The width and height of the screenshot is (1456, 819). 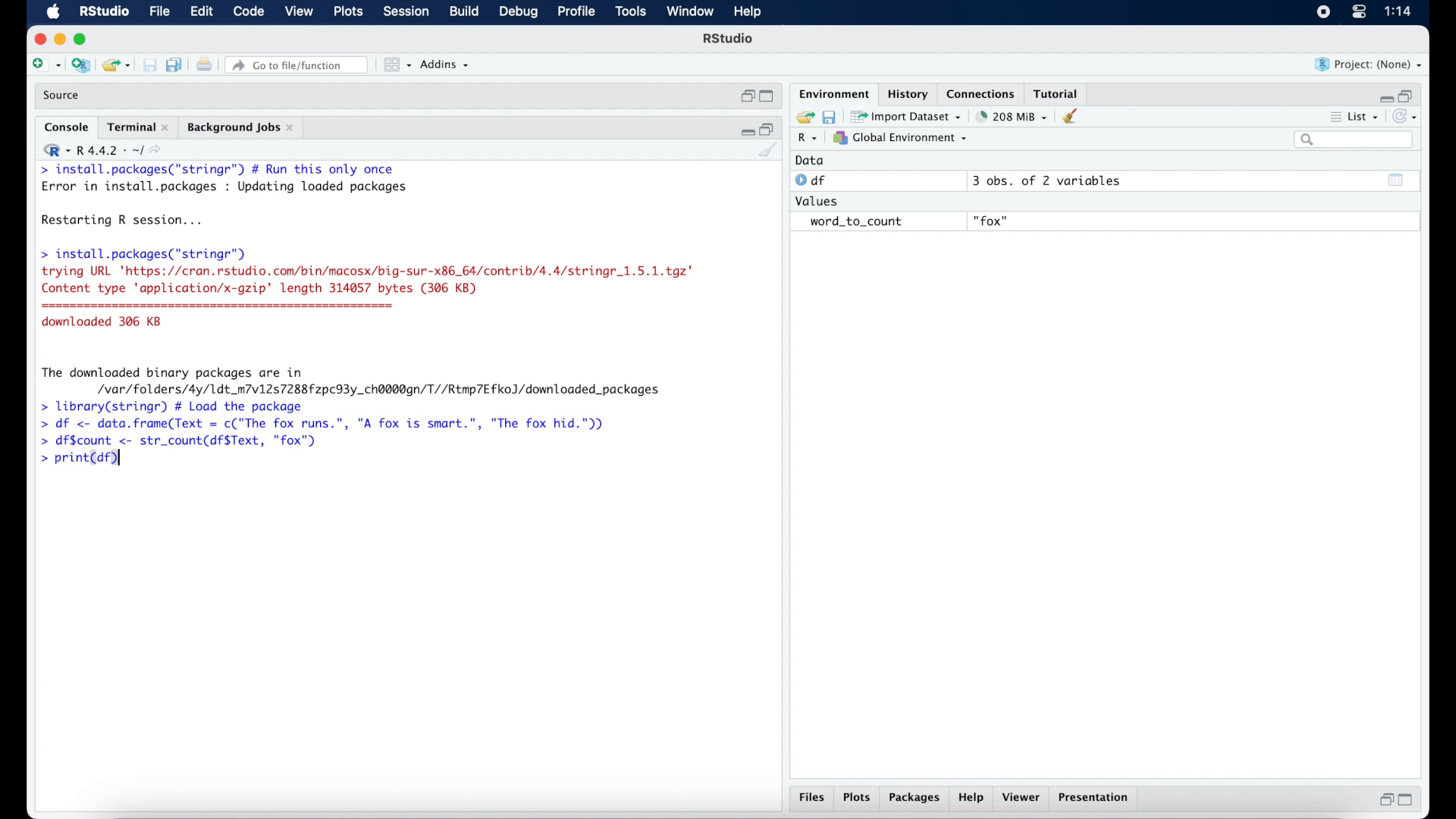 I want to click on save, so click(x=152, y=66).